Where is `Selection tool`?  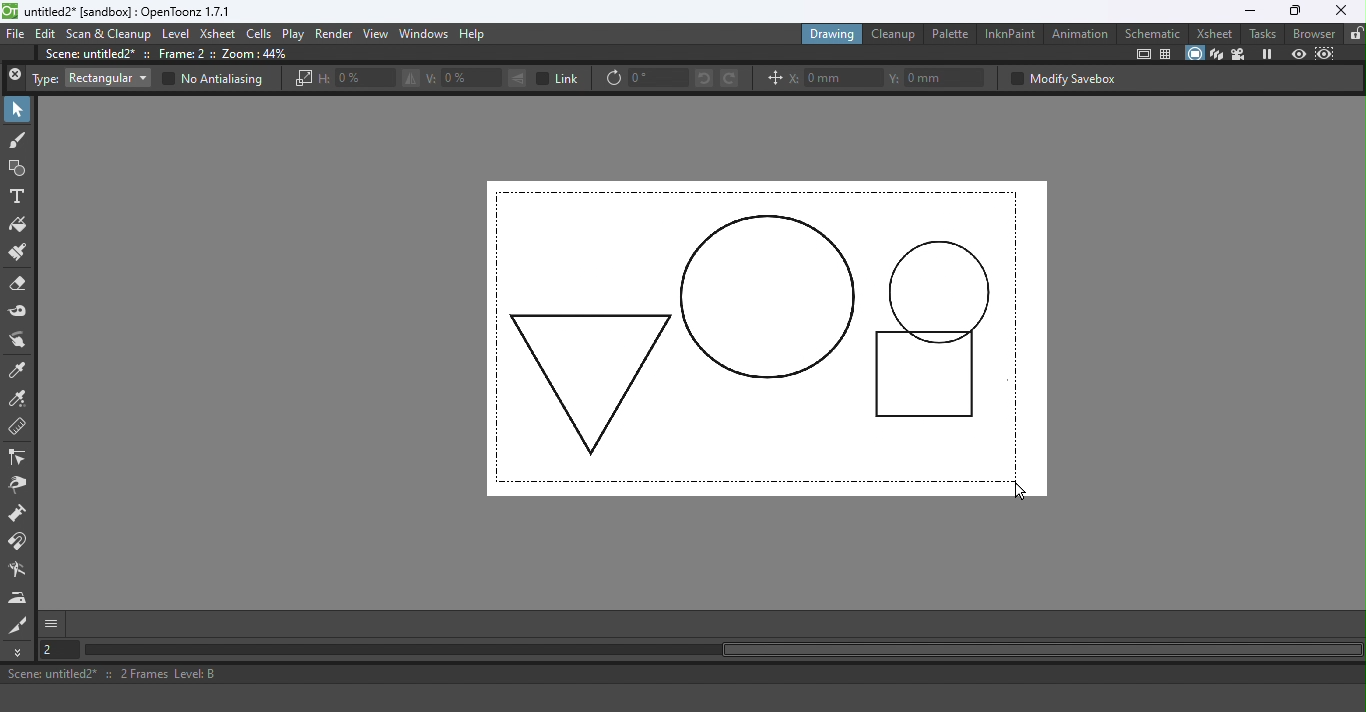 Selection tool is located at coordinates (18, 110).